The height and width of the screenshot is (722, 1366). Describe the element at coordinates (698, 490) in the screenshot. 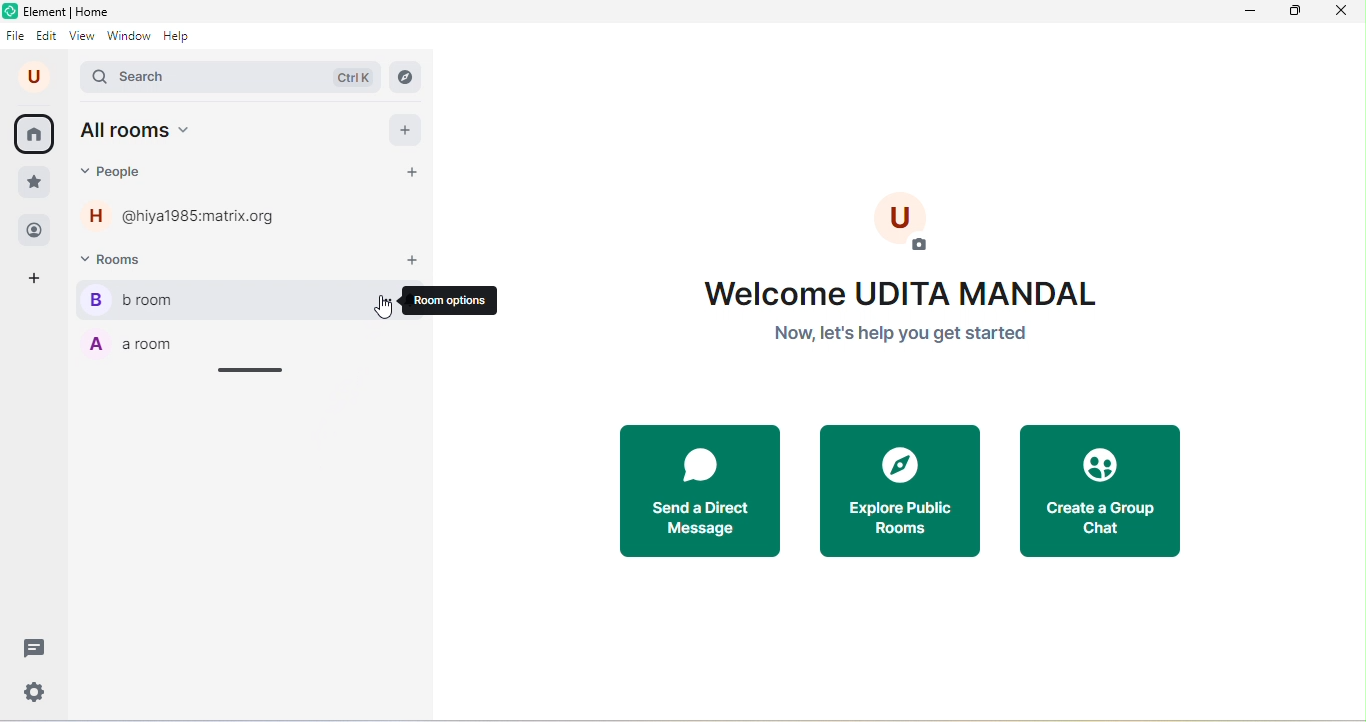

I see `send a direct message` at that location.